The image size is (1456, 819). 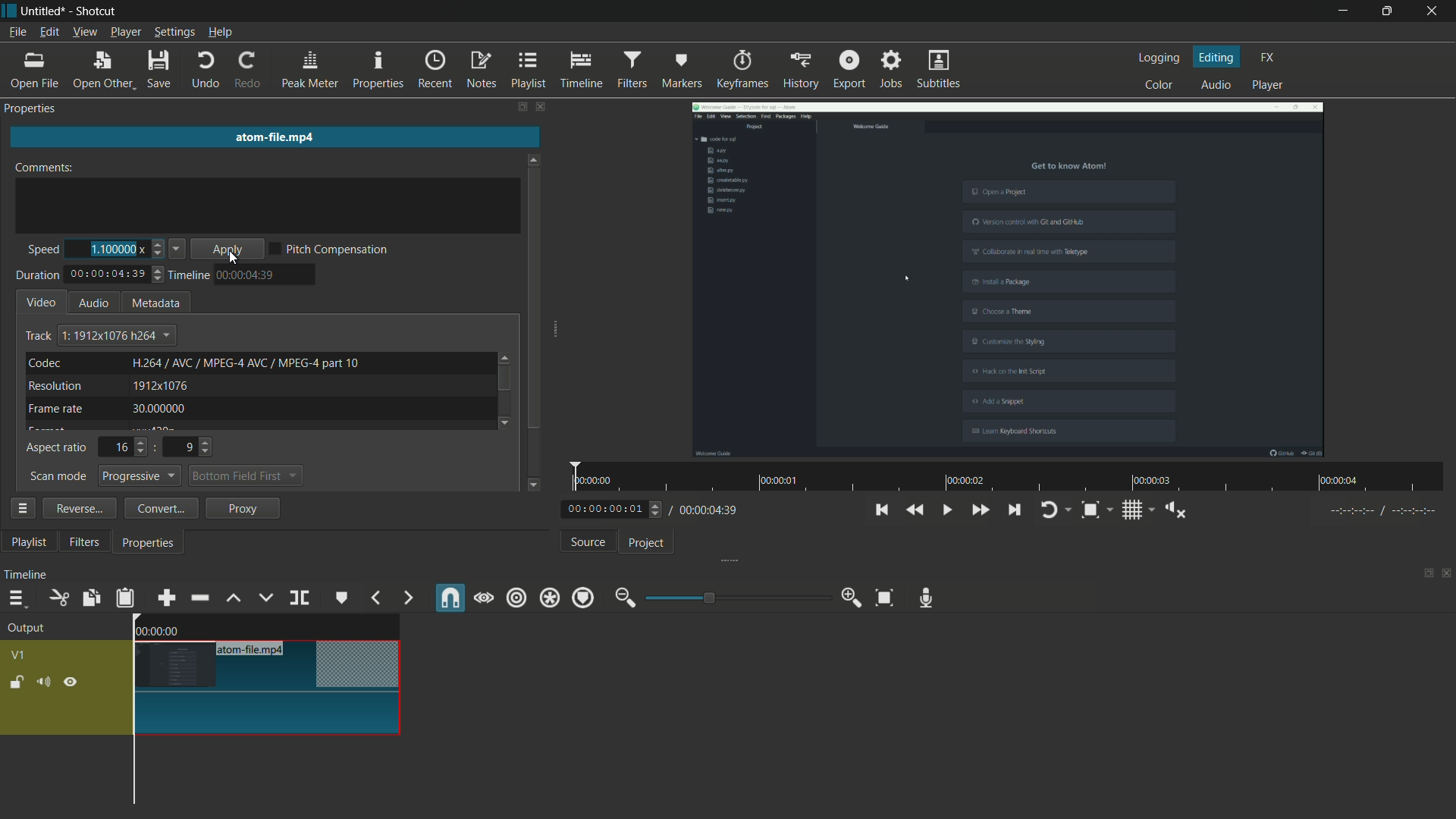 What do you see at coordinates (560, 331) in the screenshot?
I see `expand` at bounding box center [560, 331].